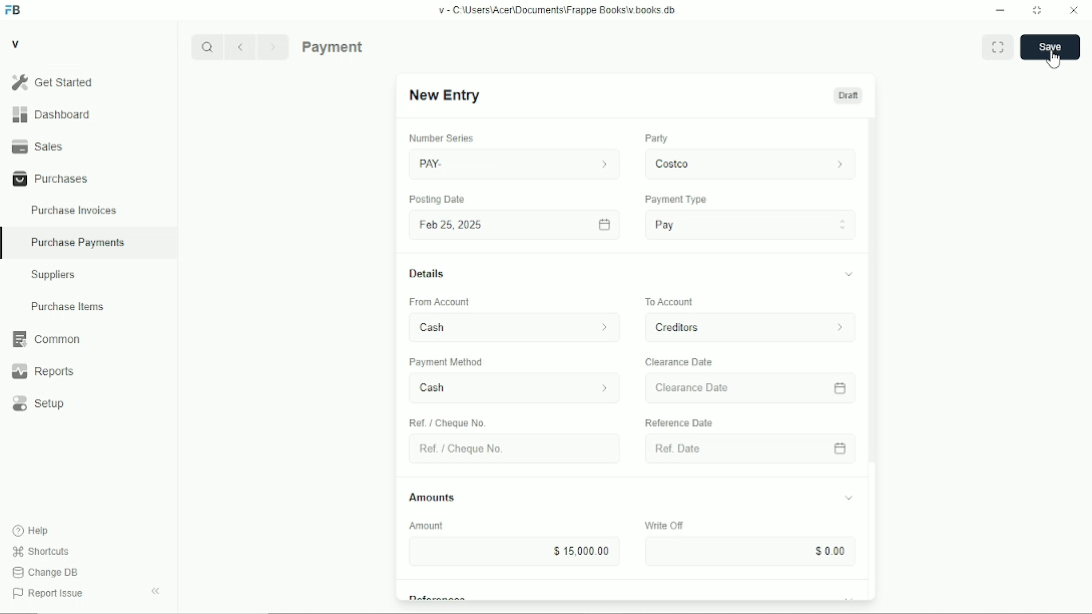  I want to click on calender, so click(843, 386).